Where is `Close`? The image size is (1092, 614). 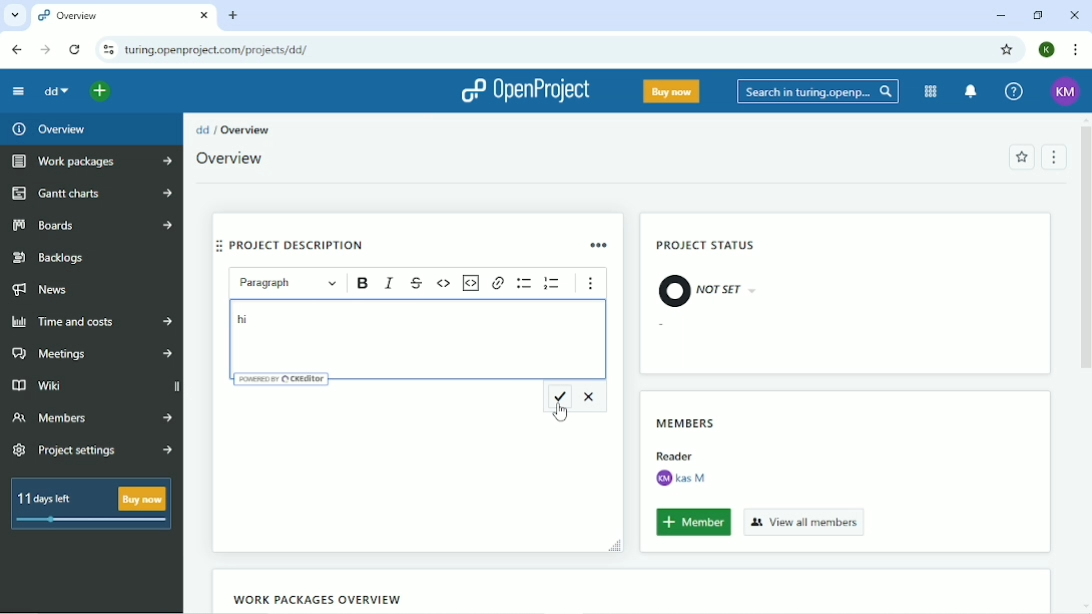
Close is located at coordinates (1075, 15).